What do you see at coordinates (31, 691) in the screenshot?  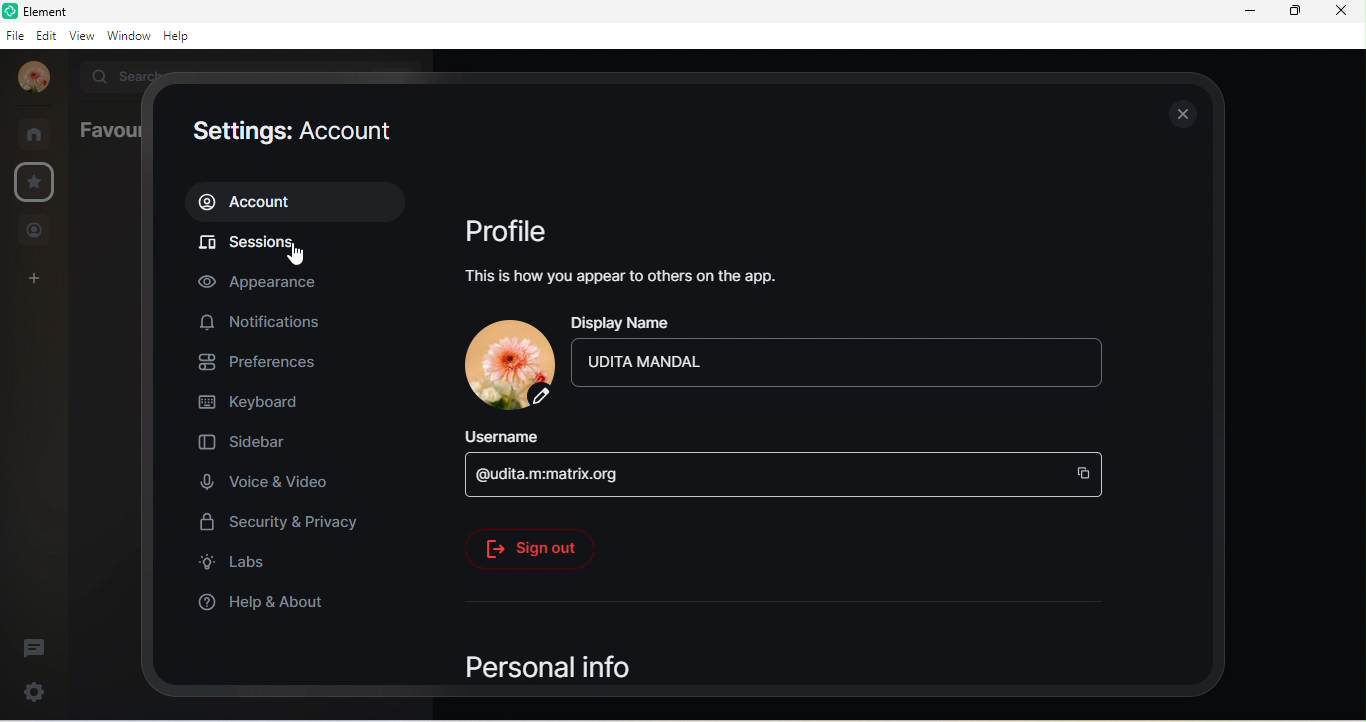 I see `settings` at bounding box center [31, 691].